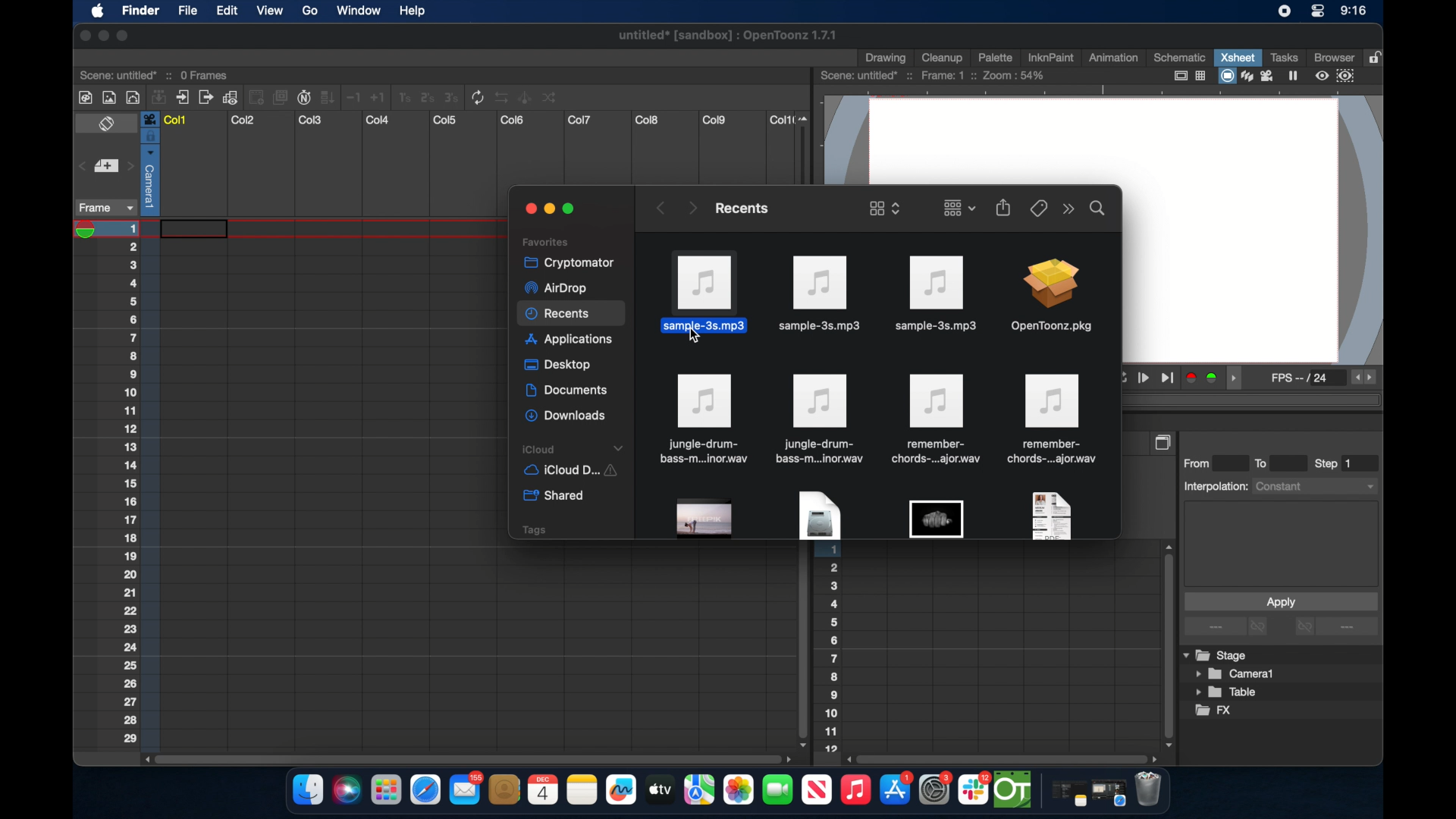 This screenshot has width=1456, height=819. What do you see at coordinates (659, 208) in the screenshot?
I see `previous` at bounding box center [659, 208].